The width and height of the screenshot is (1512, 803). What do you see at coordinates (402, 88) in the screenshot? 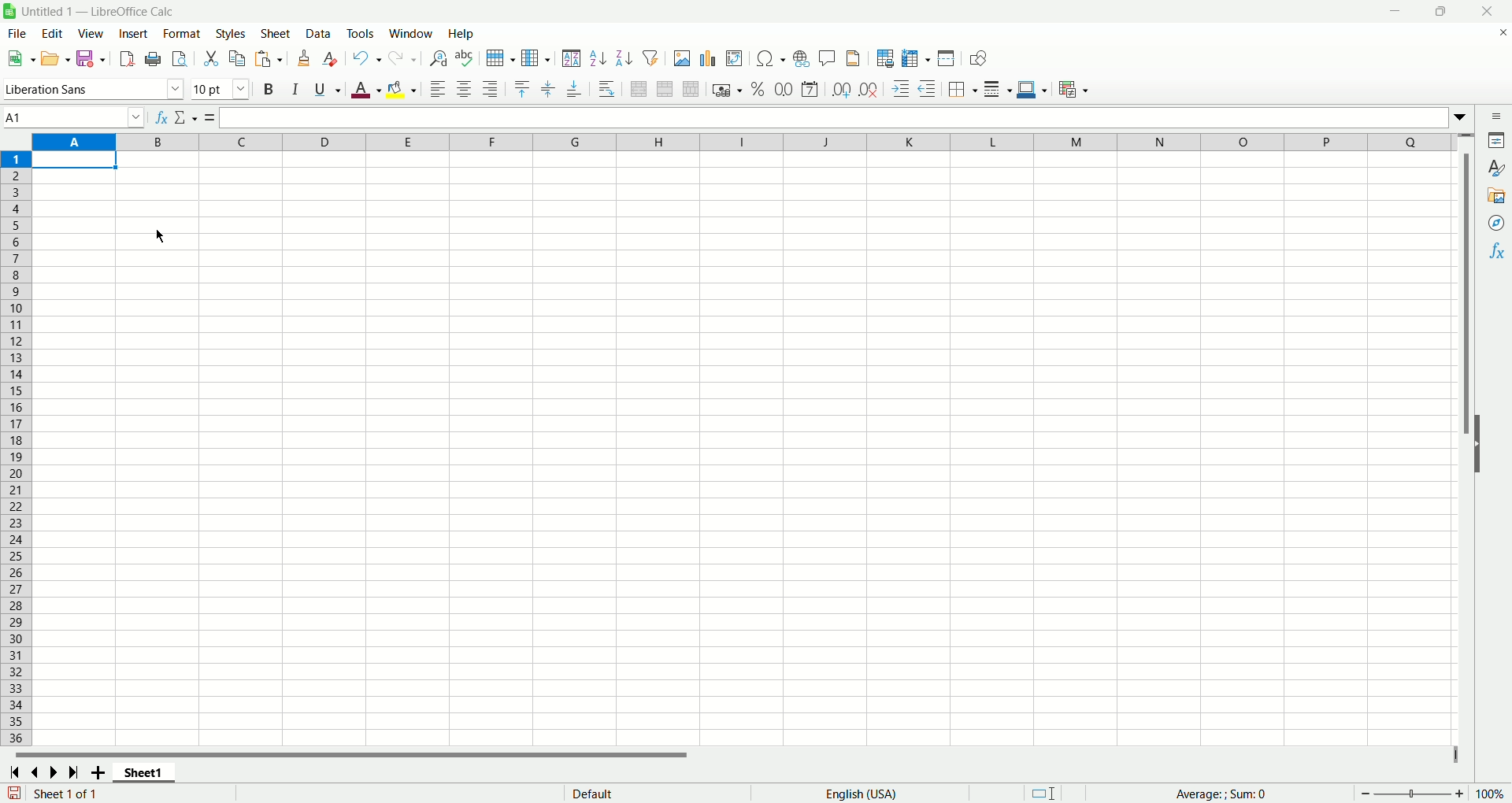
I see `background color` at bounding box center [402, 88].